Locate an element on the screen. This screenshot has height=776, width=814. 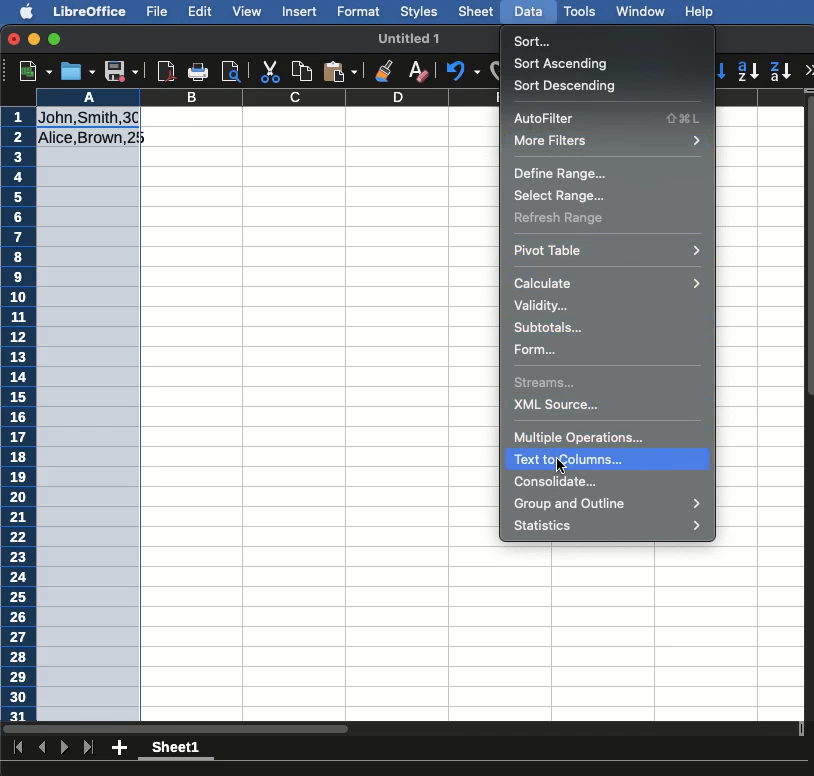
Autofilter is located at coordinates (608, 117).